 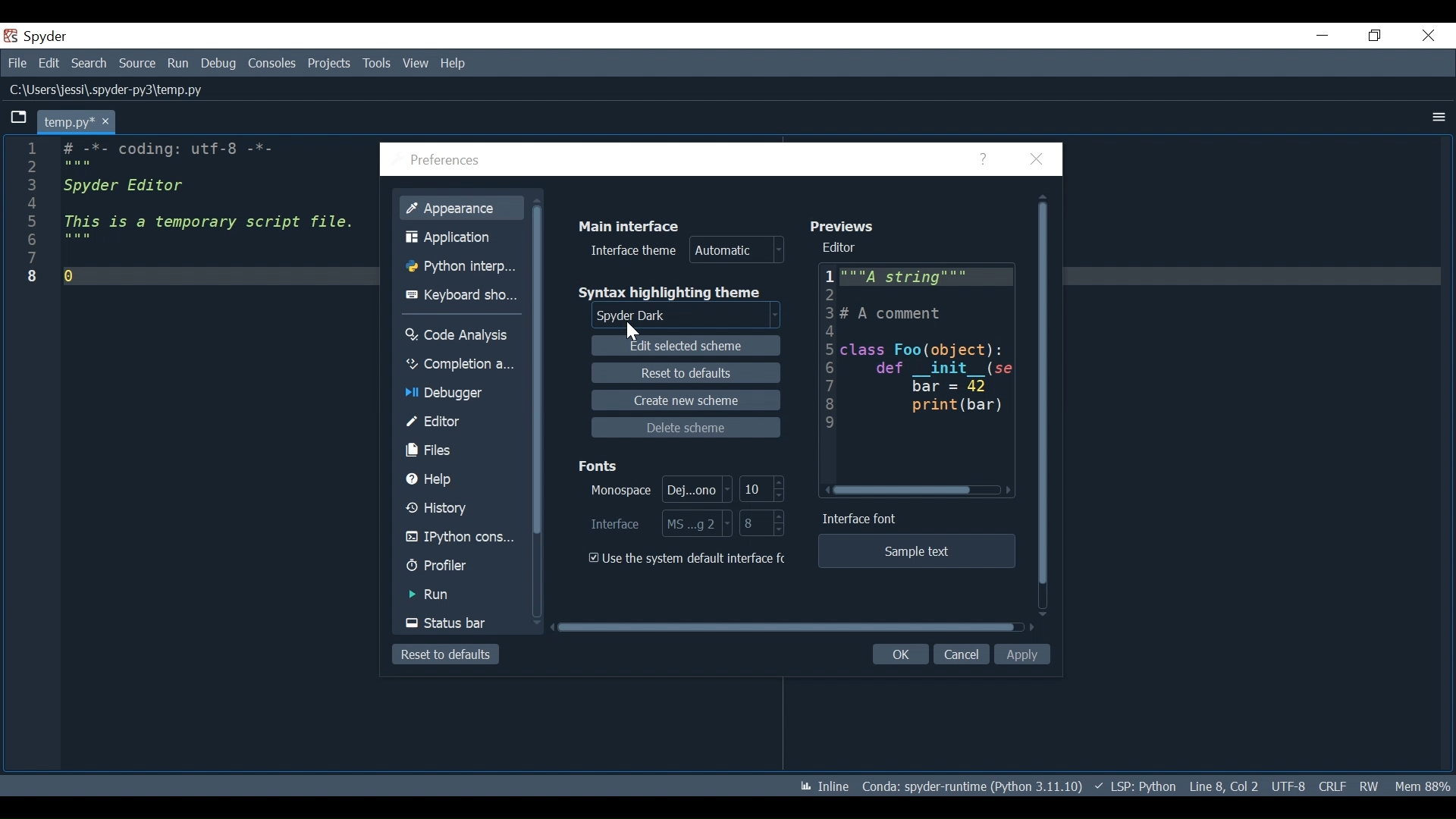 What do you see at coordinates (463, 568) in the screenshot?
I see `Profiler` at bounding box center [463, 568].